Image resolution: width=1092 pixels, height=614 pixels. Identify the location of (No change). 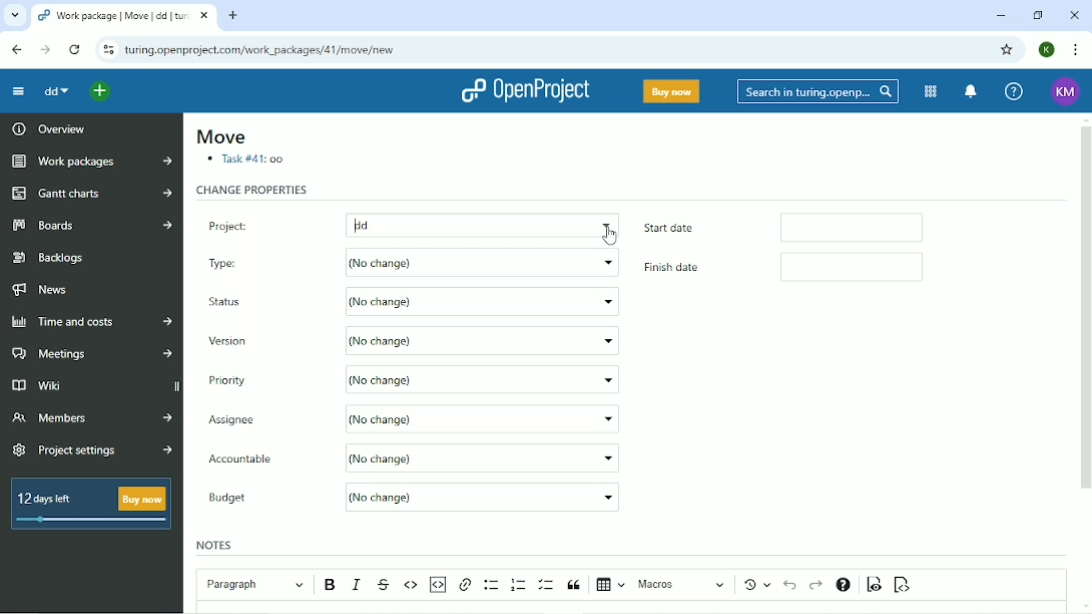
(480, 303).